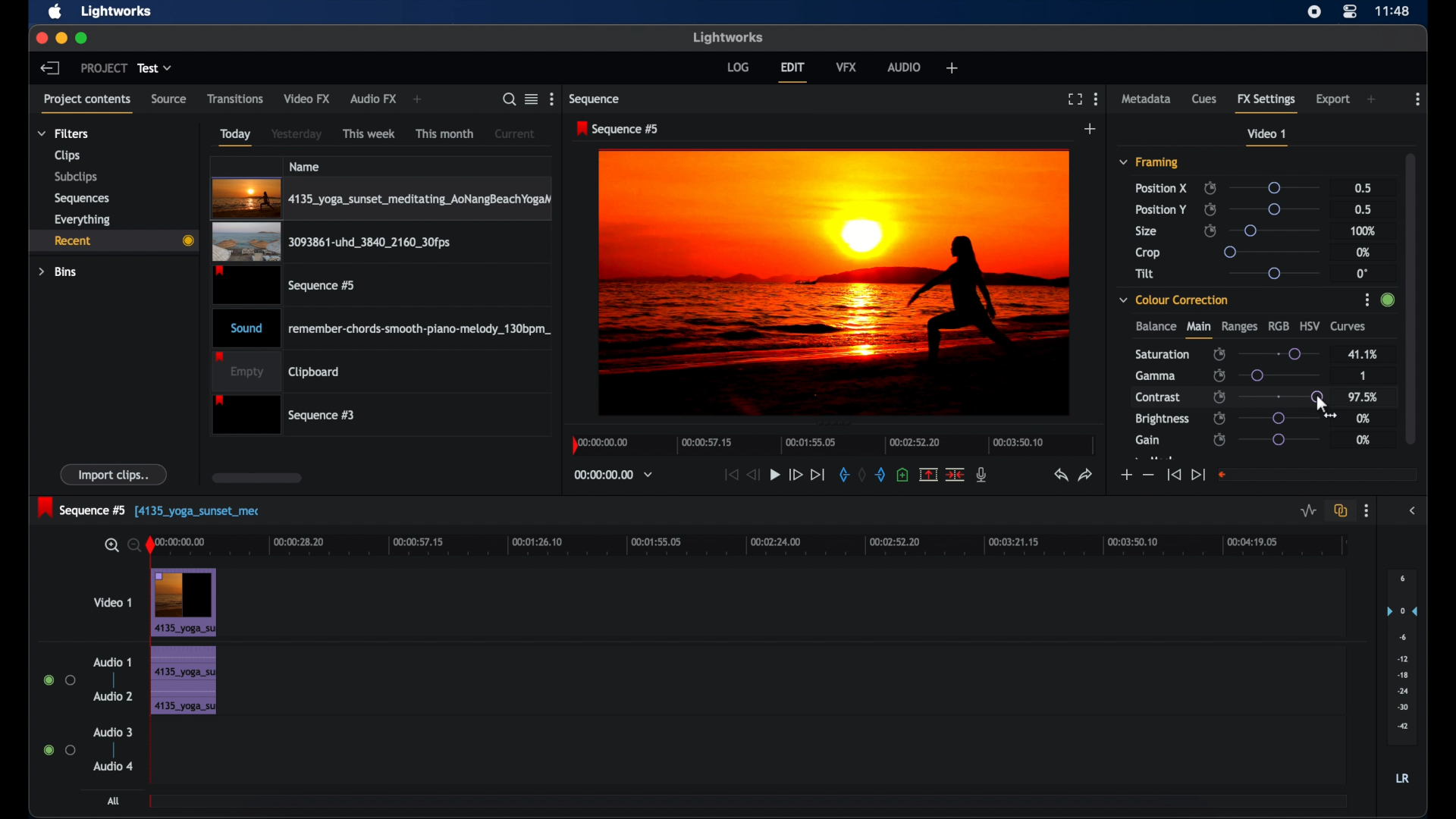  I want to click on LR, so click(1402, 779).